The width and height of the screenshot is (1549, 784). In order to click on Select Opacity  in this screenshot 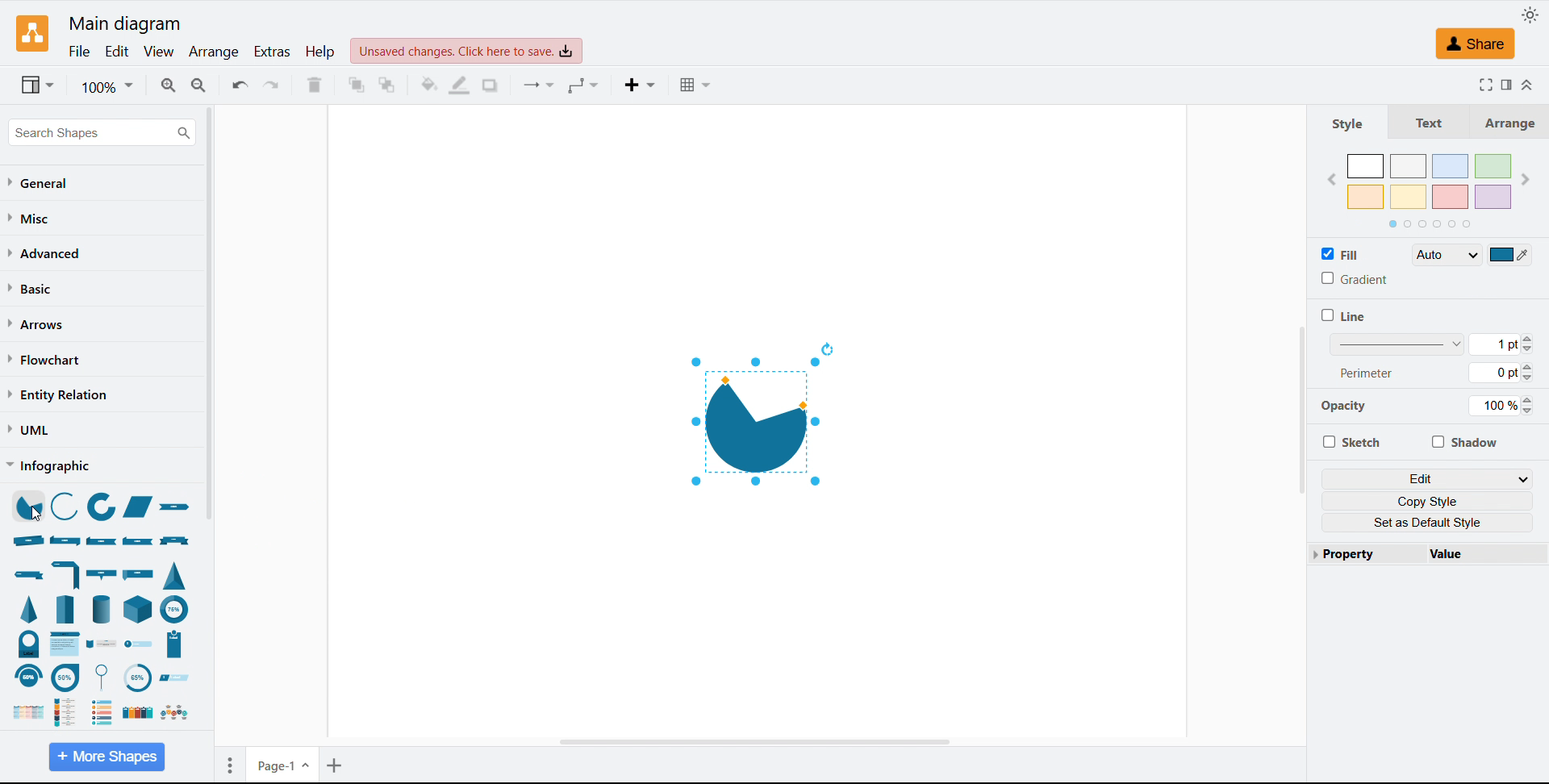, I will do `click(1502, 406)`.